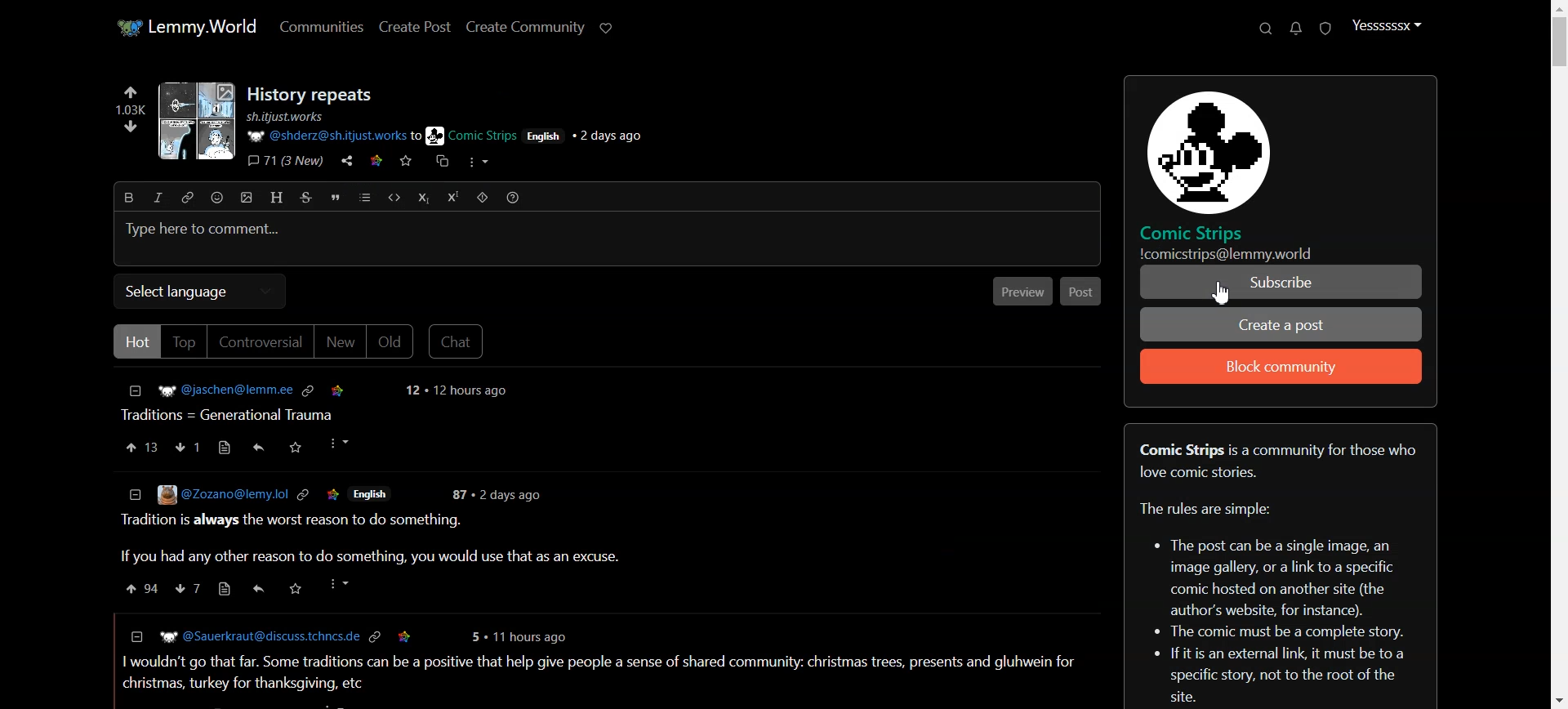  What do you see at coordinates (135, 341) in the screenshot?
I see `Hot` at bounding box center [135, 341].